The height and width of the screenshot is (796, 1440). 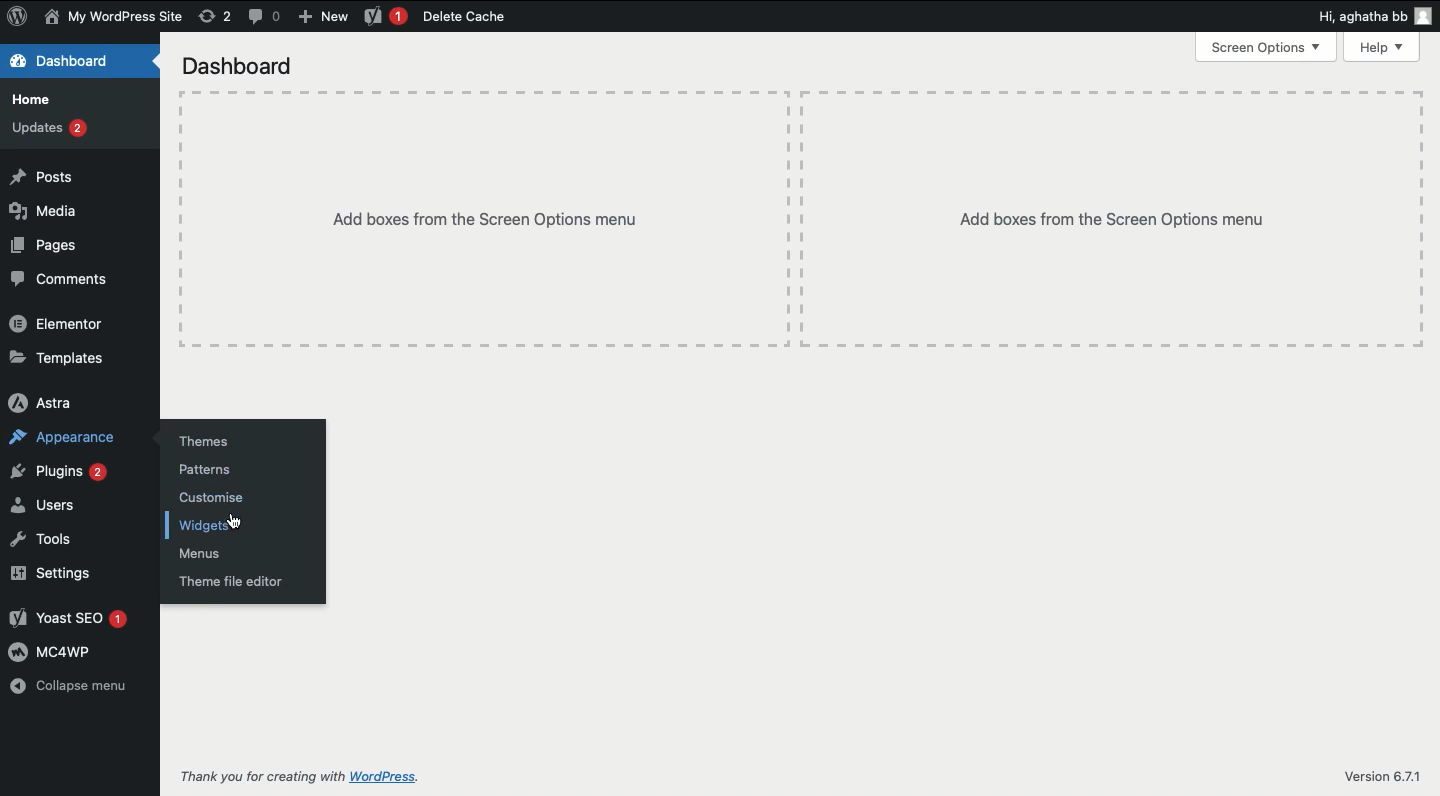 I want to click on Plugins , so click(x=63, y=472).